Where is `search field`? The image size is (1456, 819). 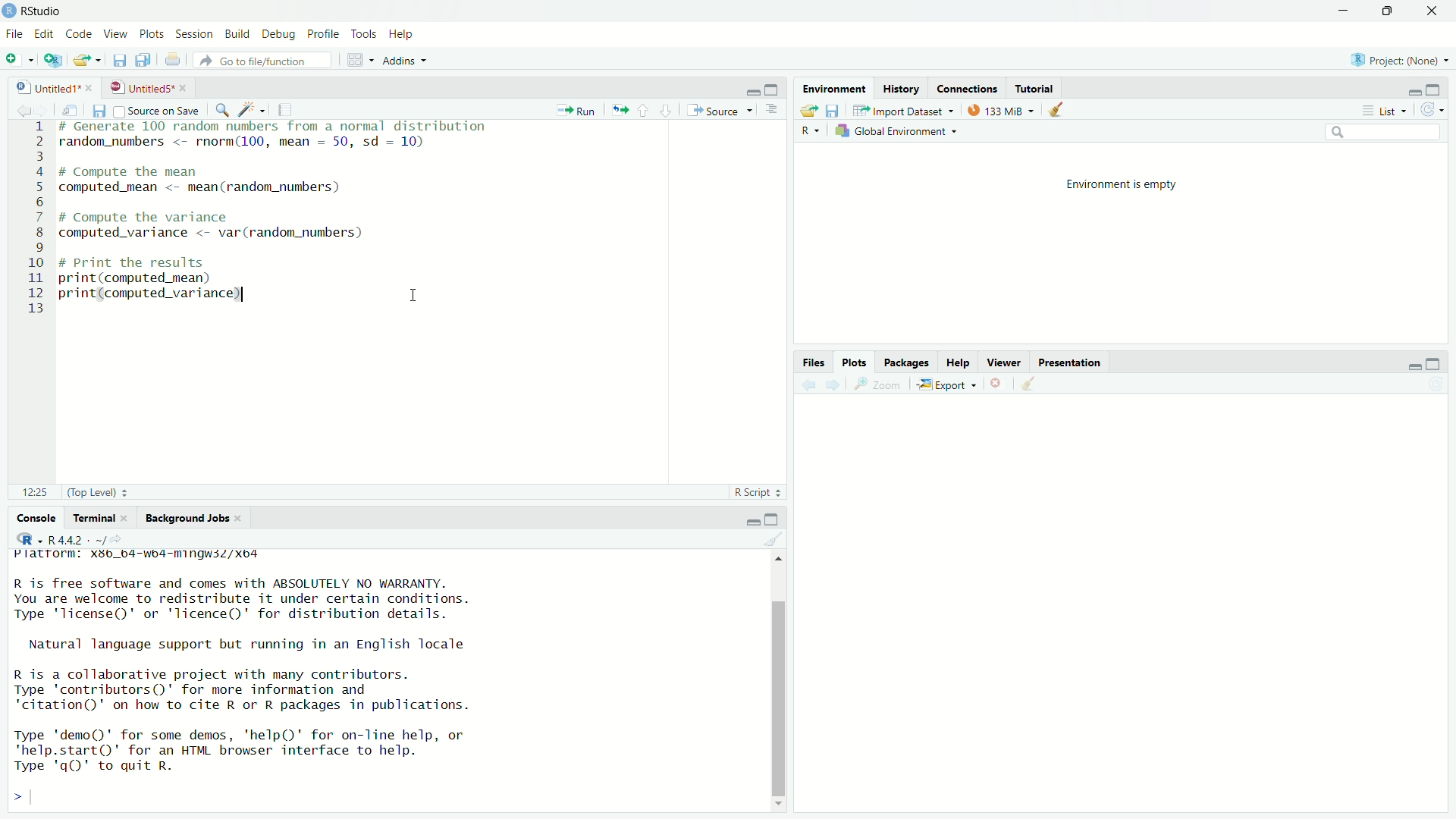 search field is located at coordinates (1383, 133).